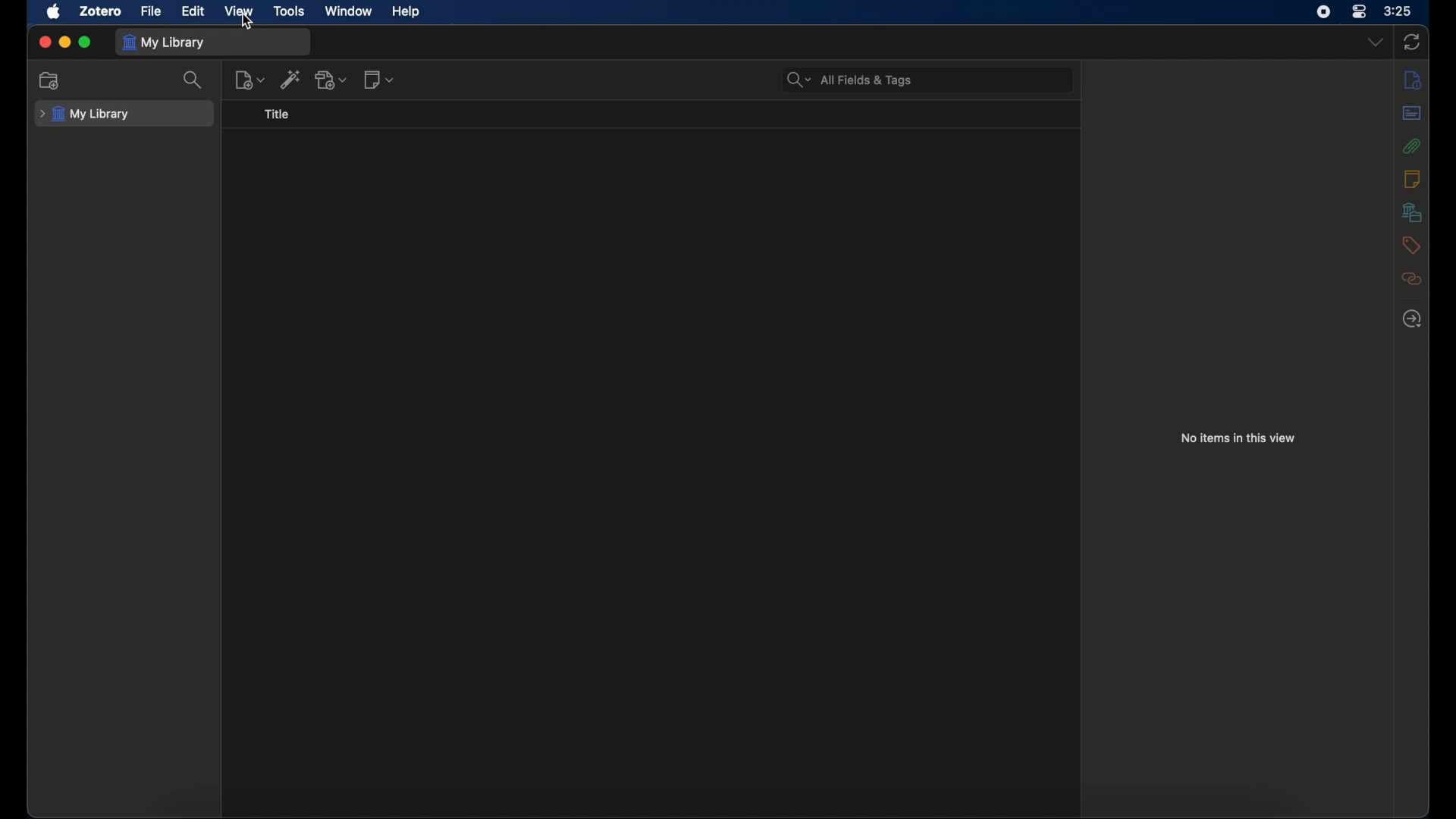 This screenshot has width=1456, height=819. I want to click on add attachments, so click(332, 79).